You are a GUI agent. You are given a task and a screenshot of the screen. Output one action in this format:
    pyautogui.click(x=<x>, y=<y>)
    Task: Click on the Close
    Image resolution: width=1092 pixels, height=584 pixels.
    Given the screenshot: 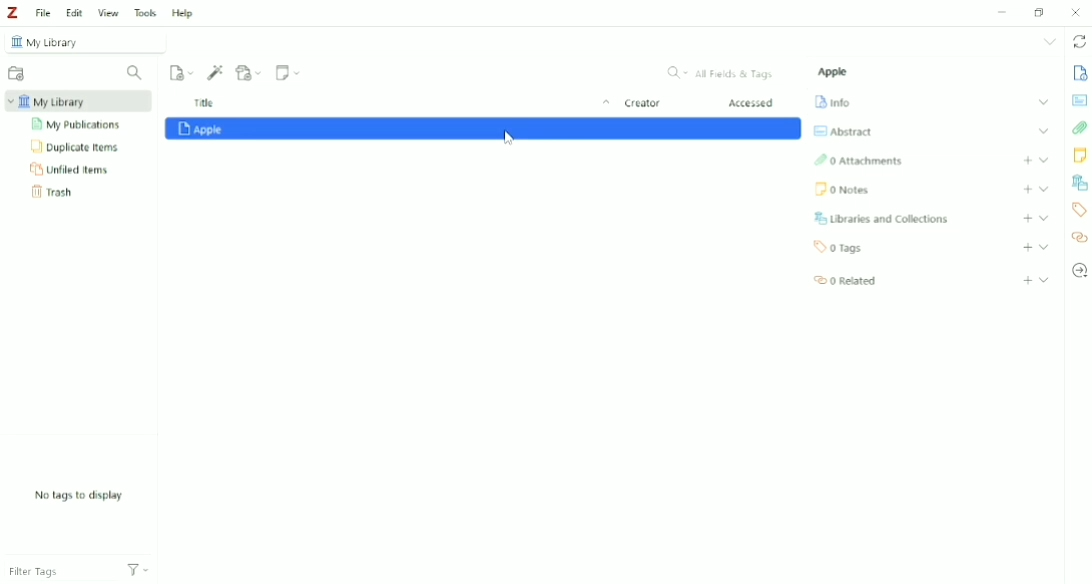 What is the action you would take?
    pyautogui.click(x=1078, y=12)
    